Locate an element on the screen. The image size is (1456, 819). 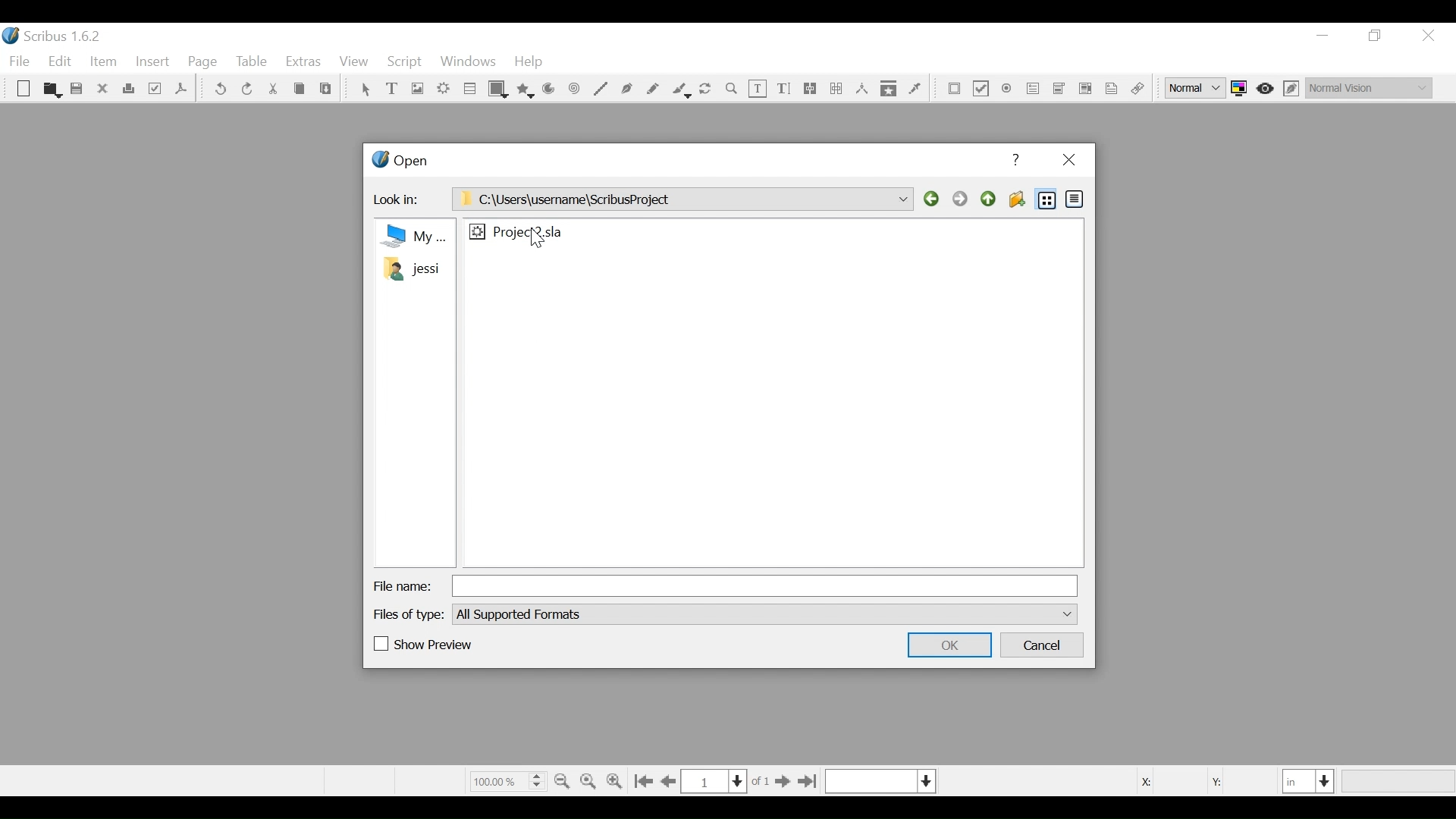
Coordinates is located at coordinates (1197, 780).